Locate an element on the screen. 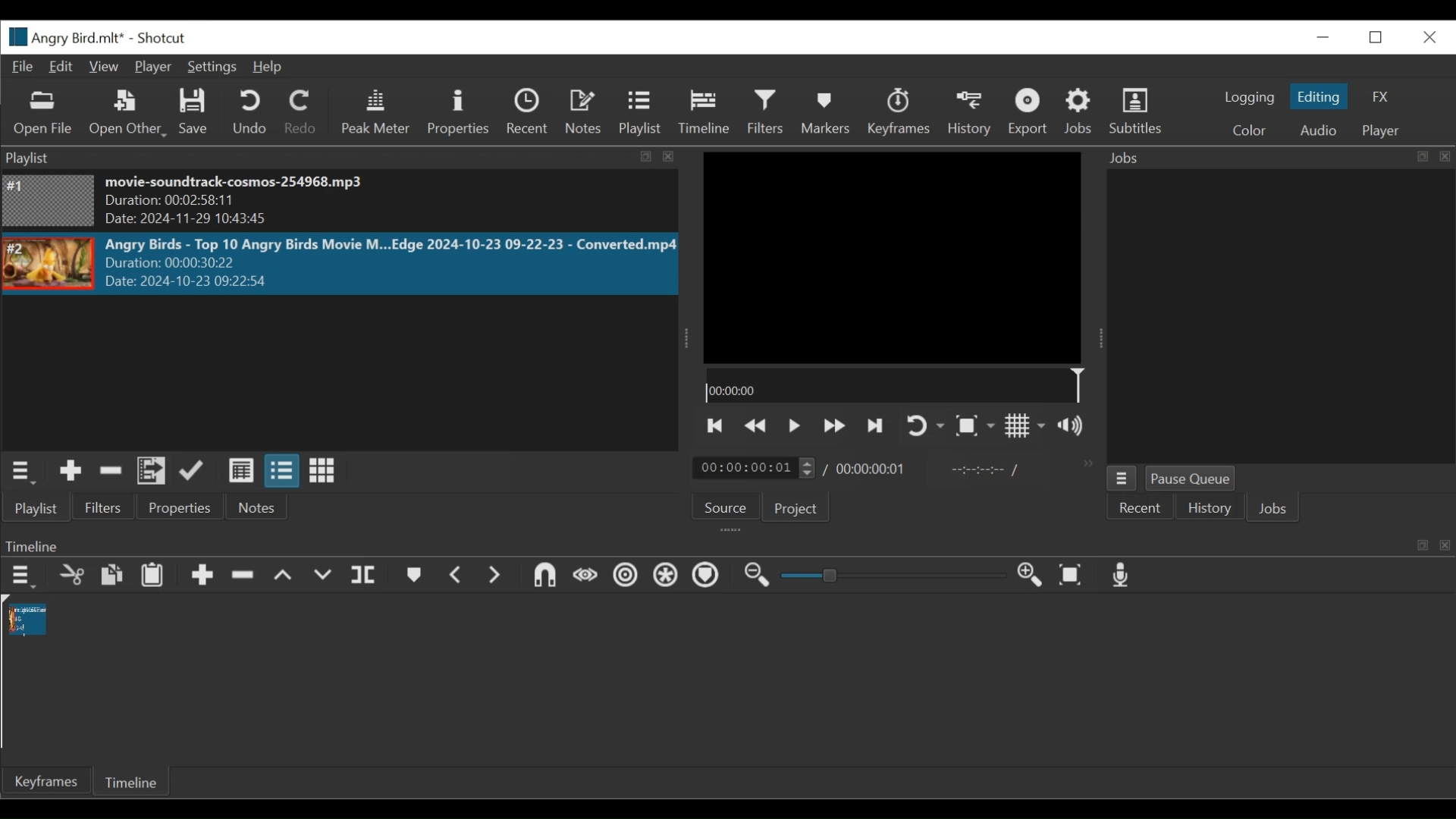 Image resolution: width=1456 pixels, height=819 pixels. View as files is located at coordinates (281, 472).